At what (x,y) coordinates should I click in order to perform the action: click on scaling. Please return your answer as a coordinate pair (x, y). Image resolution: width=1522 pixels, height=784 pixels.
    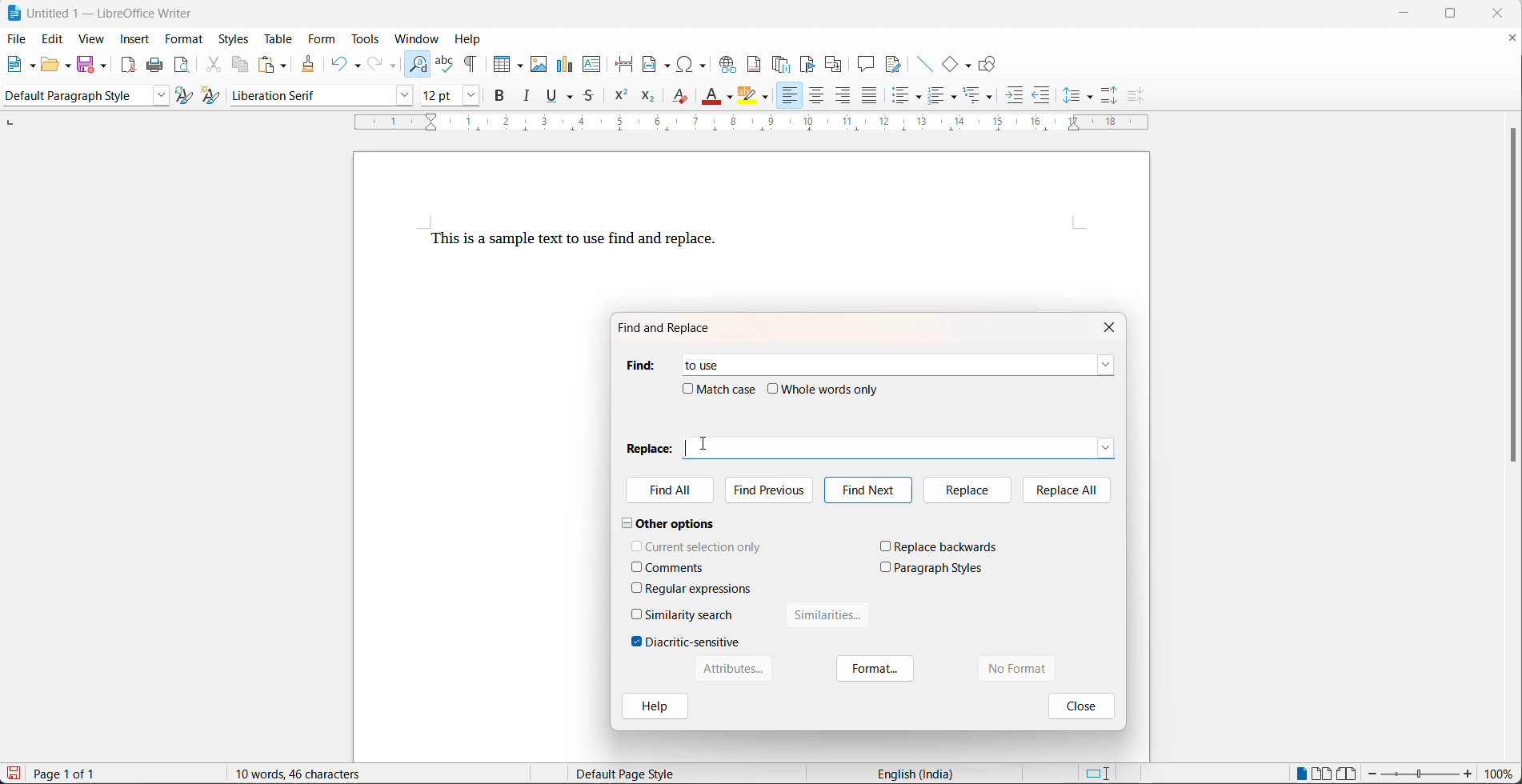
    Looking at the image, I should click on (763, 124).